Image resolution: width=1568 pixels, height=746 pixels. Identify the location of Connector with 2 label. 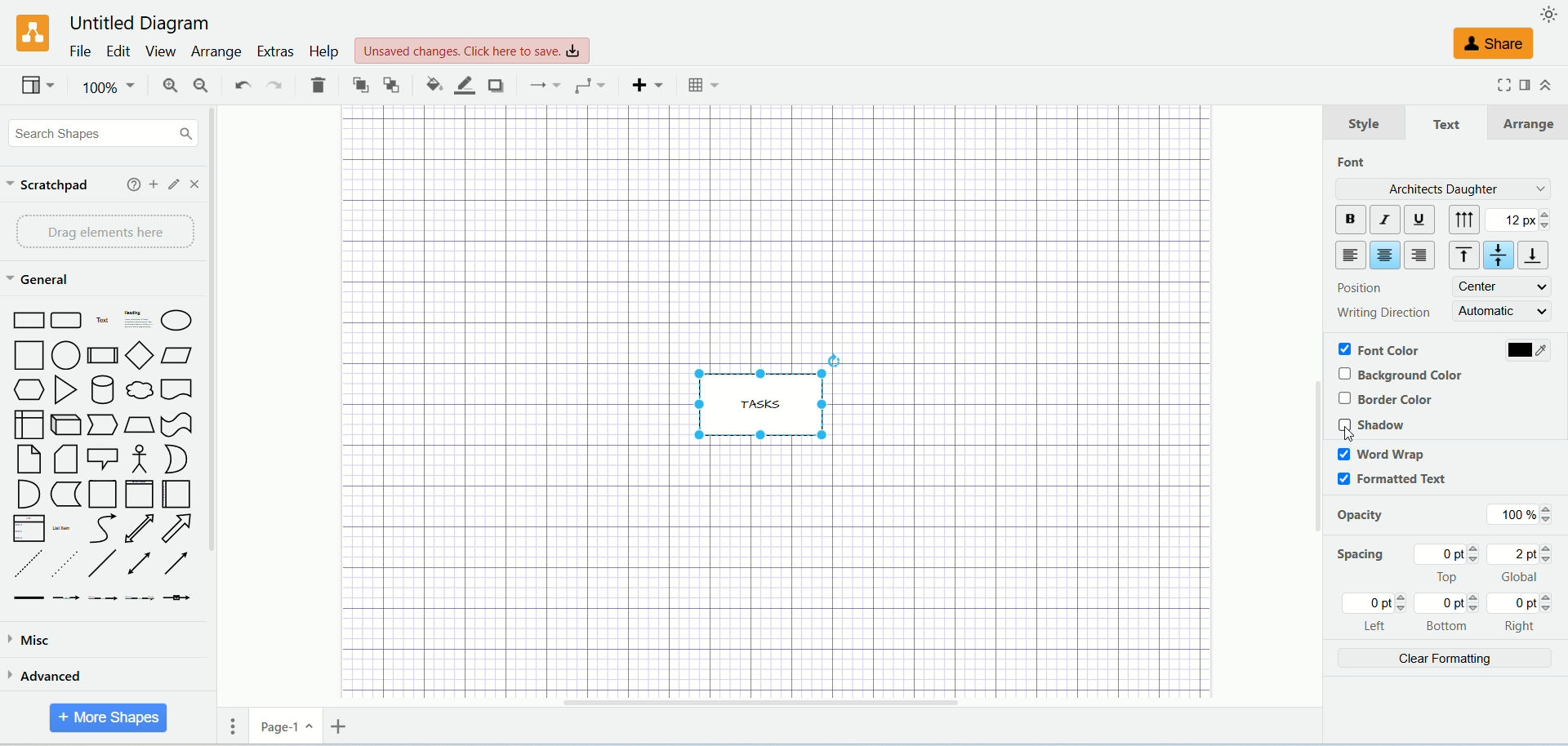
(102, 599).